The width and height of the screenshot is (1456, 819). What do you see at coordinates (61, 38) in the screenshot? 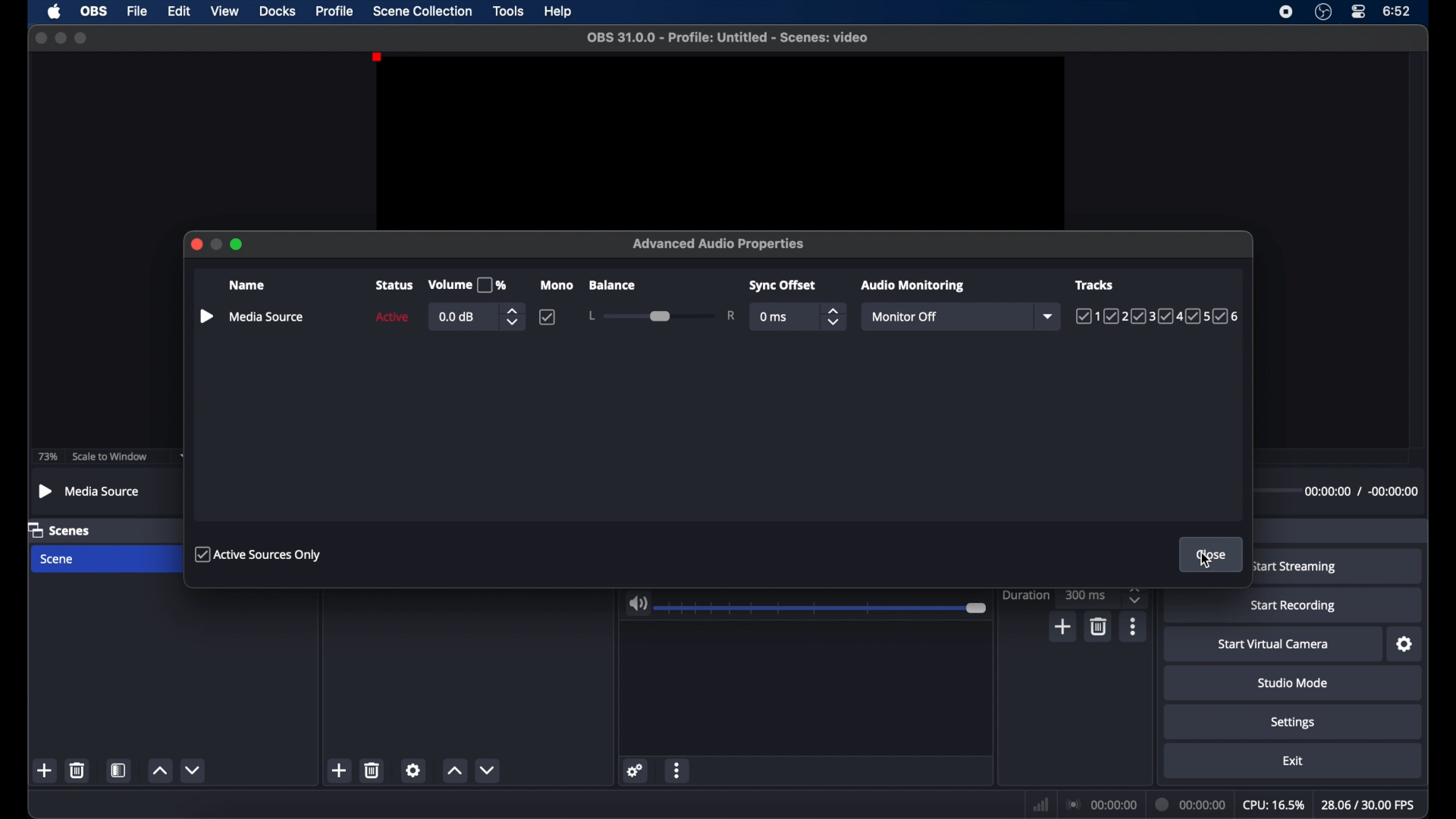
I see `minimize` at bounding box center [61, 38].